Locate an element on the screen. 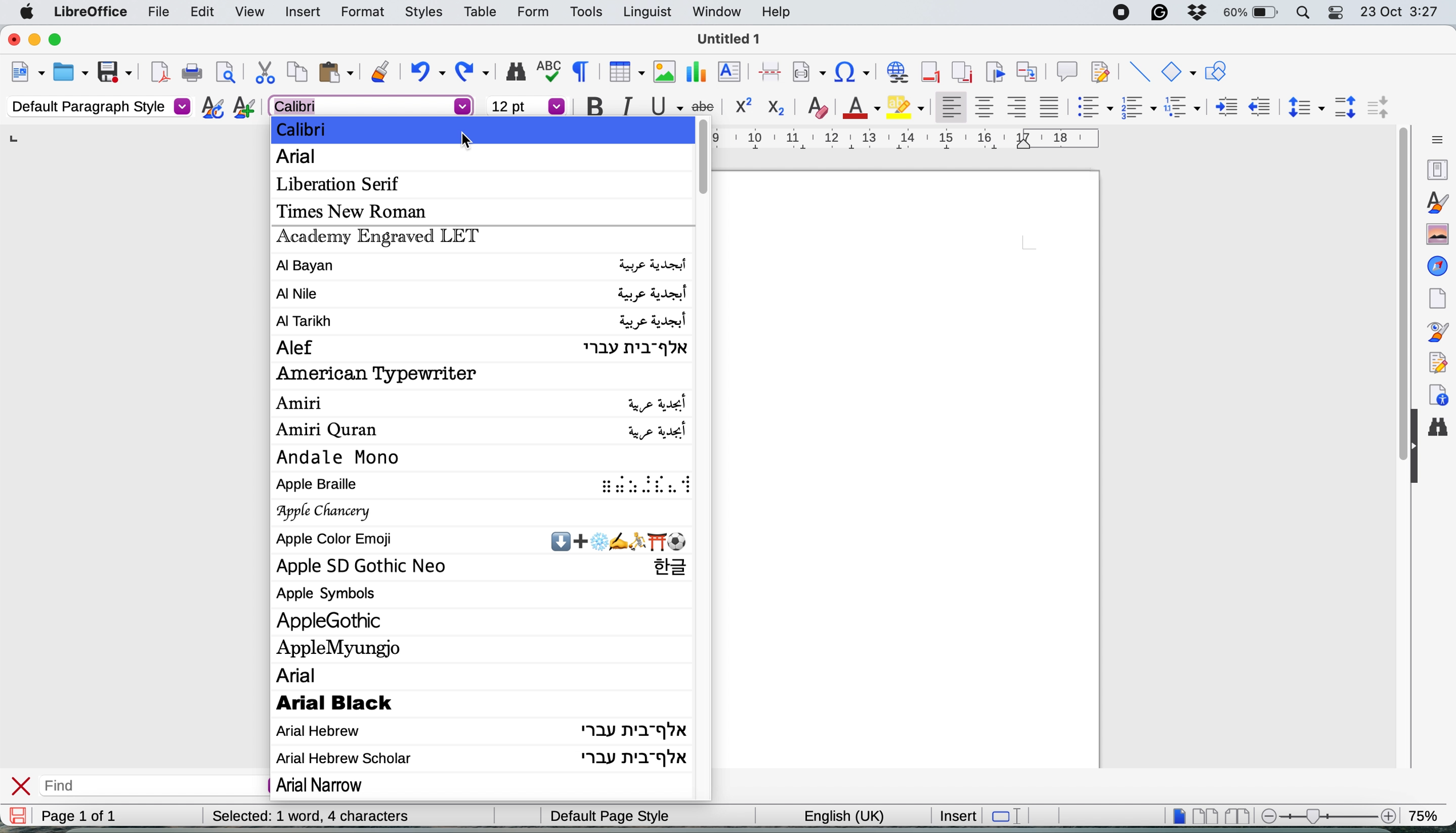 The image size is (1456, 833). manage changes is located at coordinates (1438, 361).